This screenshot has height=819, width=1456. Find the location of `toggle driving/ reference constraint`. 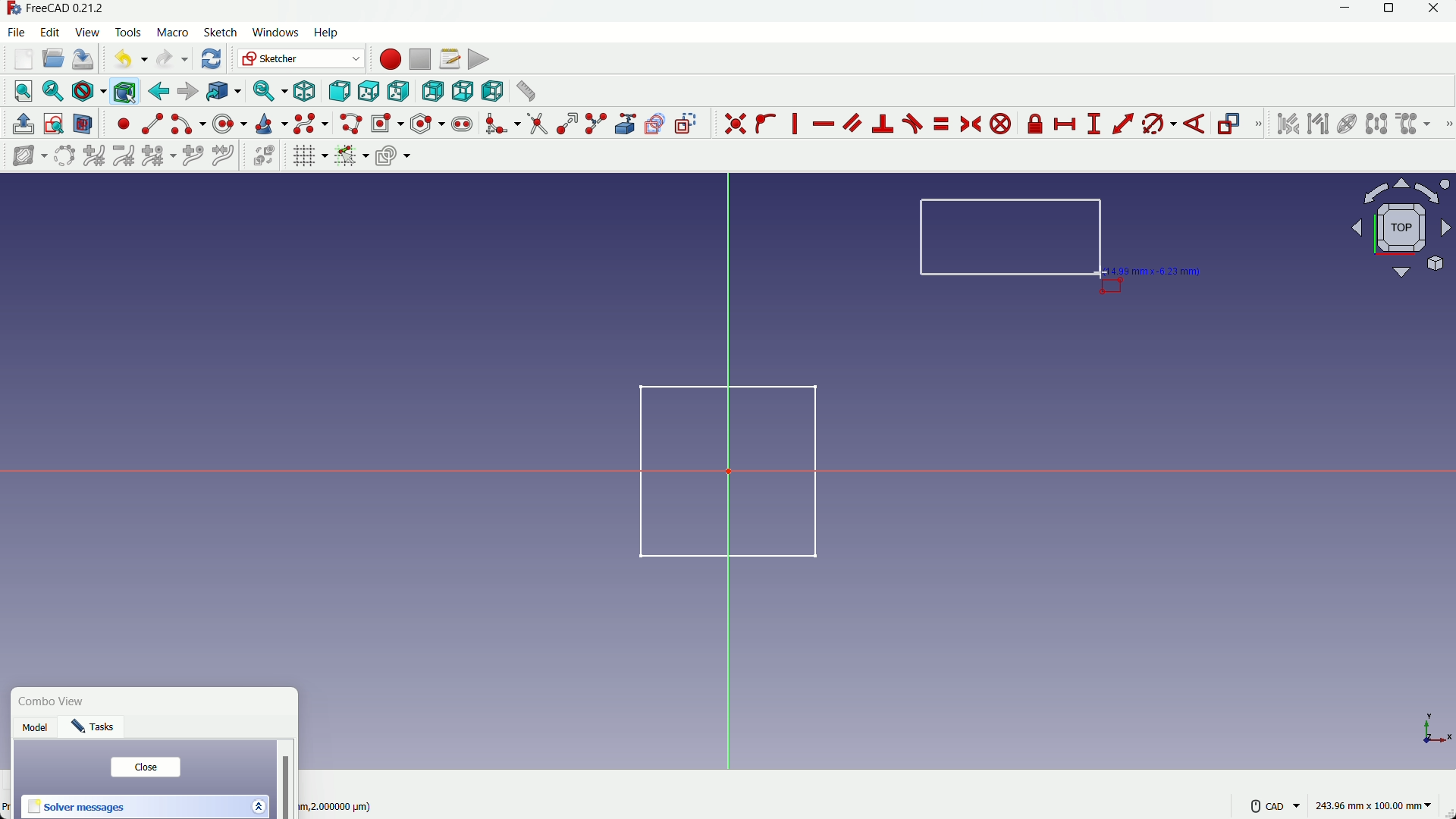

toggle driving/ reference constraint is located at coordinates (1232, 125).